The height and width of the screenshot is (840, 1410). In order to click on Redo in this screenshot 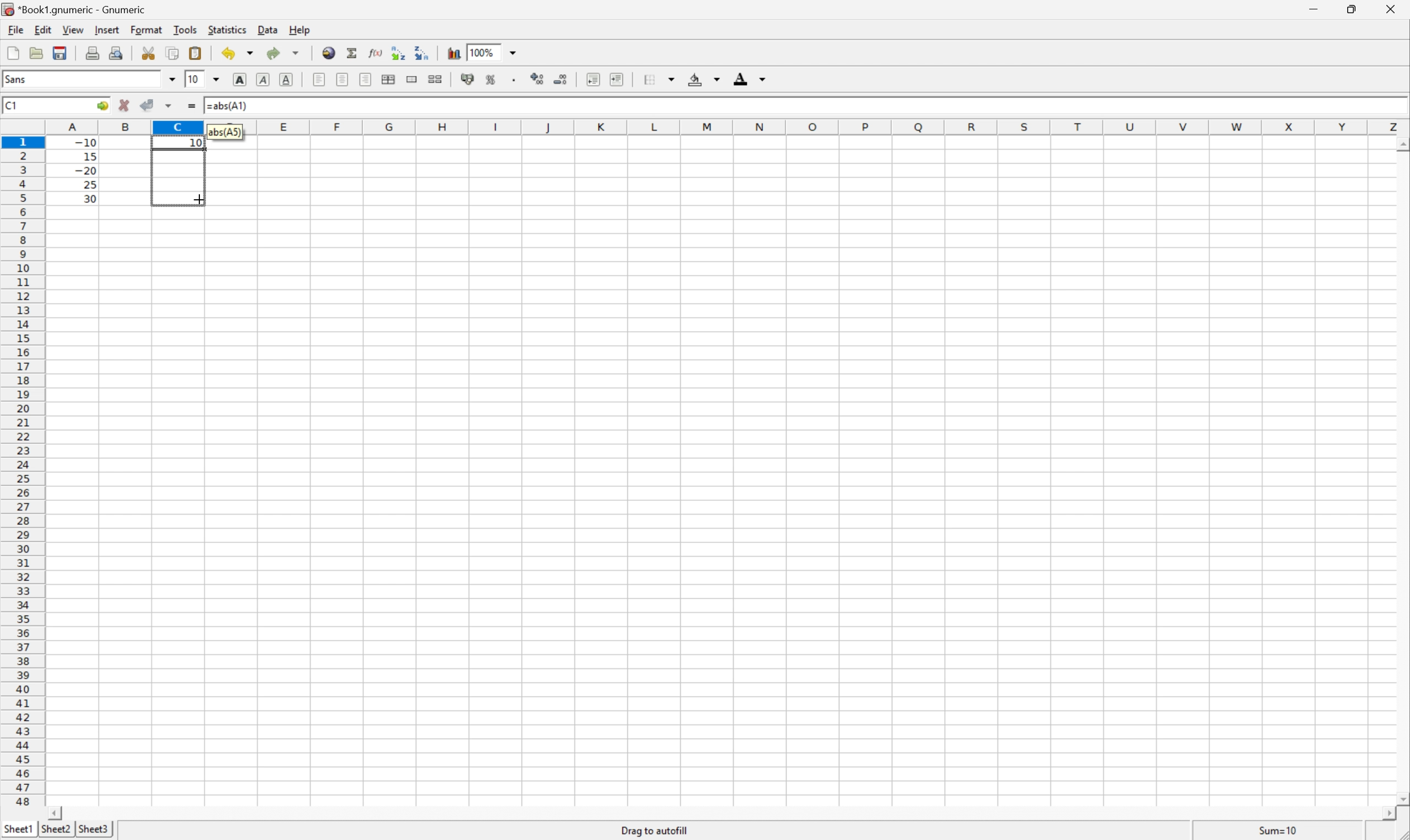, I will do `click(285, 54)`.